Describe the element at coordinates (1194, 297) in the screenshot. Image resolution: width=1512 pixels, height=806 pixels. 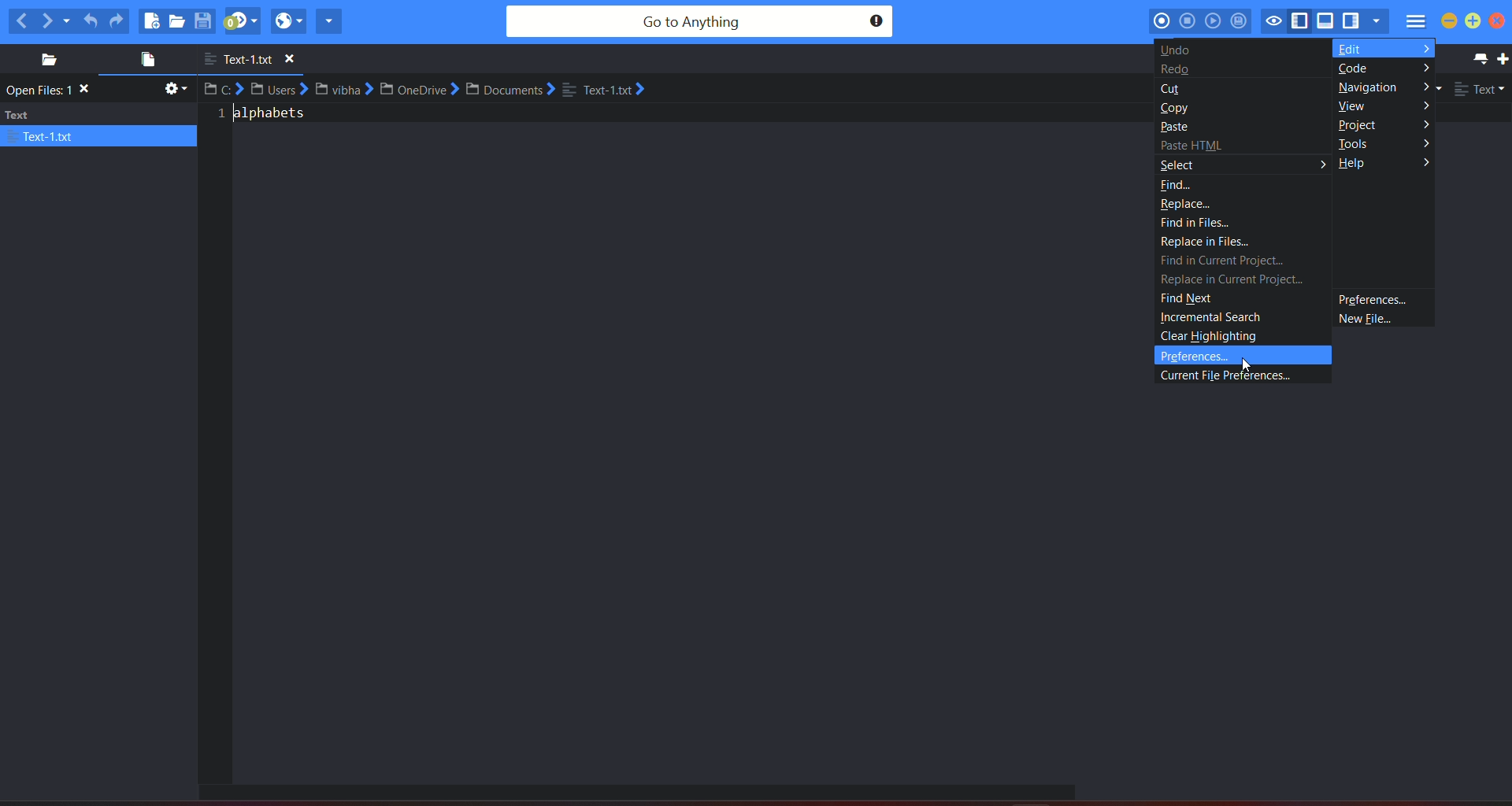
I see `find next` at that location.